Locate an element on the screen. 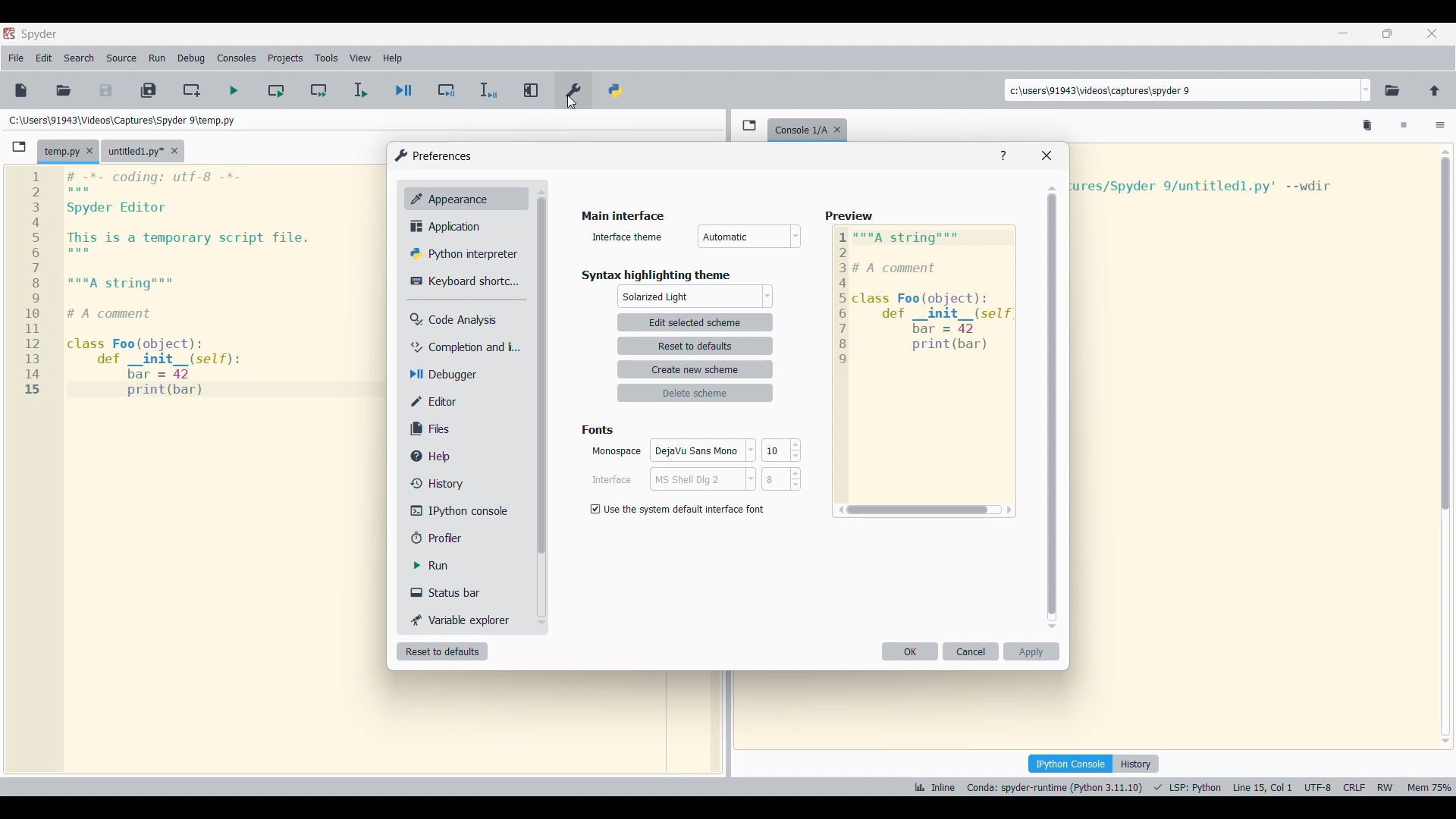 The image size is (1456, 819). Debug menu is located at coordinates (191, 59).